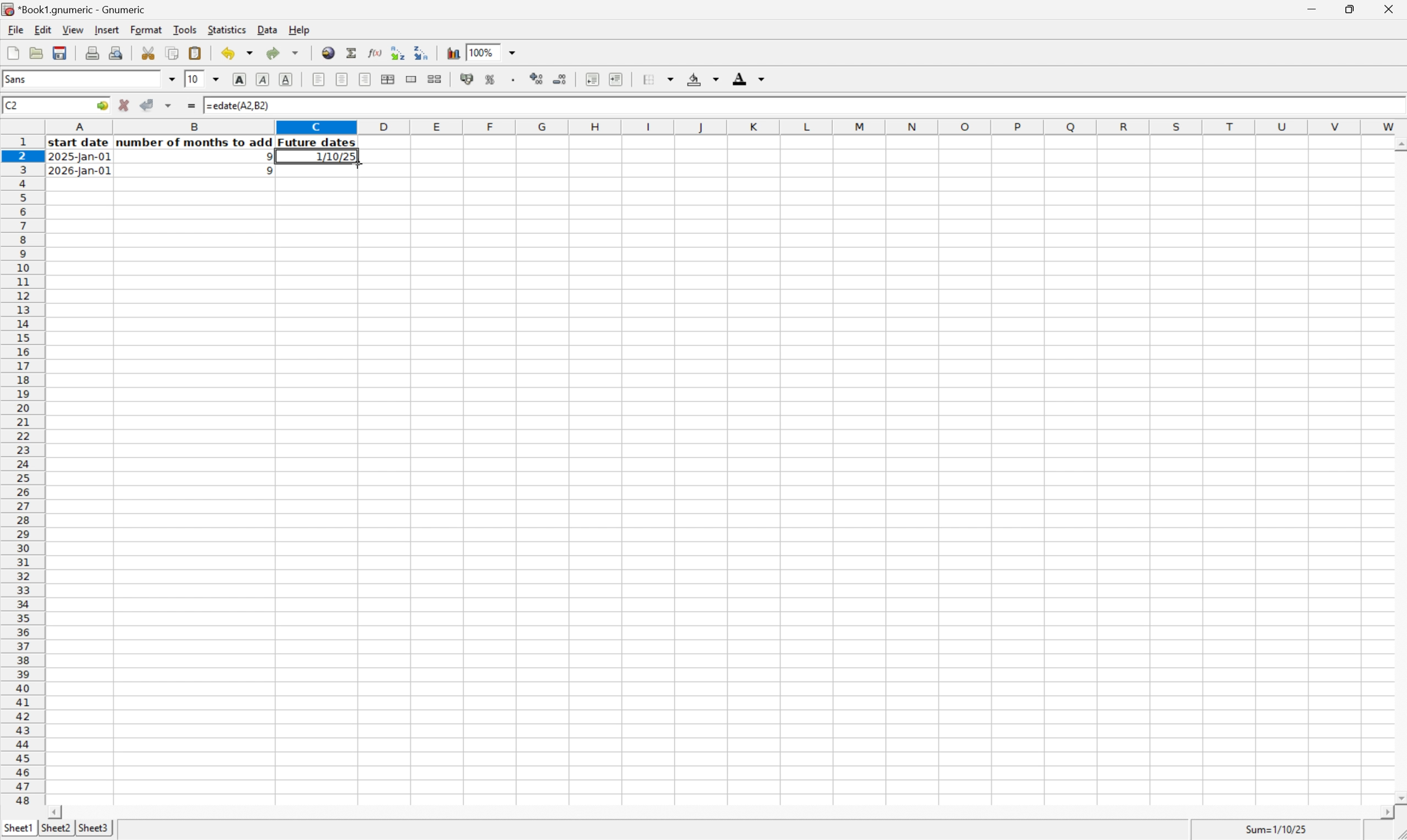 Image resolution: width=1407 pixels, height=840 pixels. Describe the element at coordinates (318, 143) in the screenshot. I see `future dates` at that location.